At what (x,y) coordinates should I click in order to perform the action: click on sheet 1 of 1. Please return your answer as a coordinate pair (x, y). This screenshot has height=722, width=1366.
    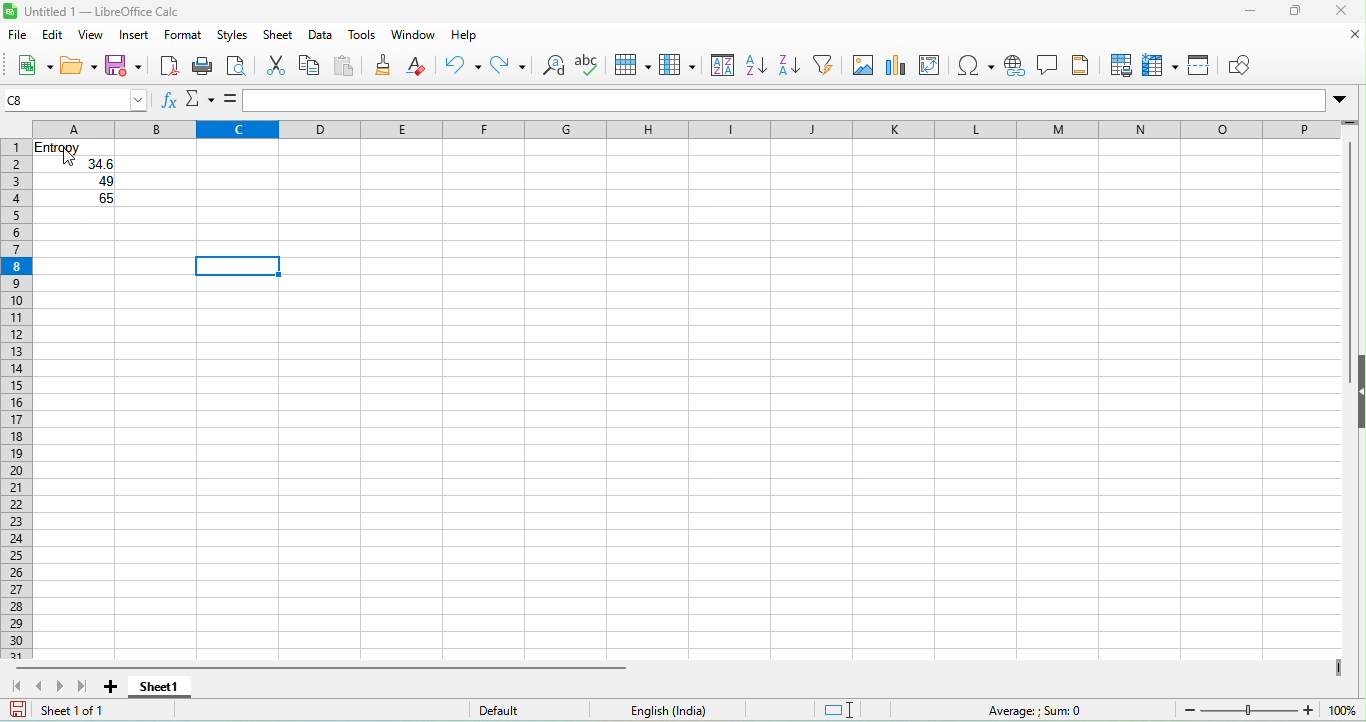
    Looking at the image, I should click on (67, 712).